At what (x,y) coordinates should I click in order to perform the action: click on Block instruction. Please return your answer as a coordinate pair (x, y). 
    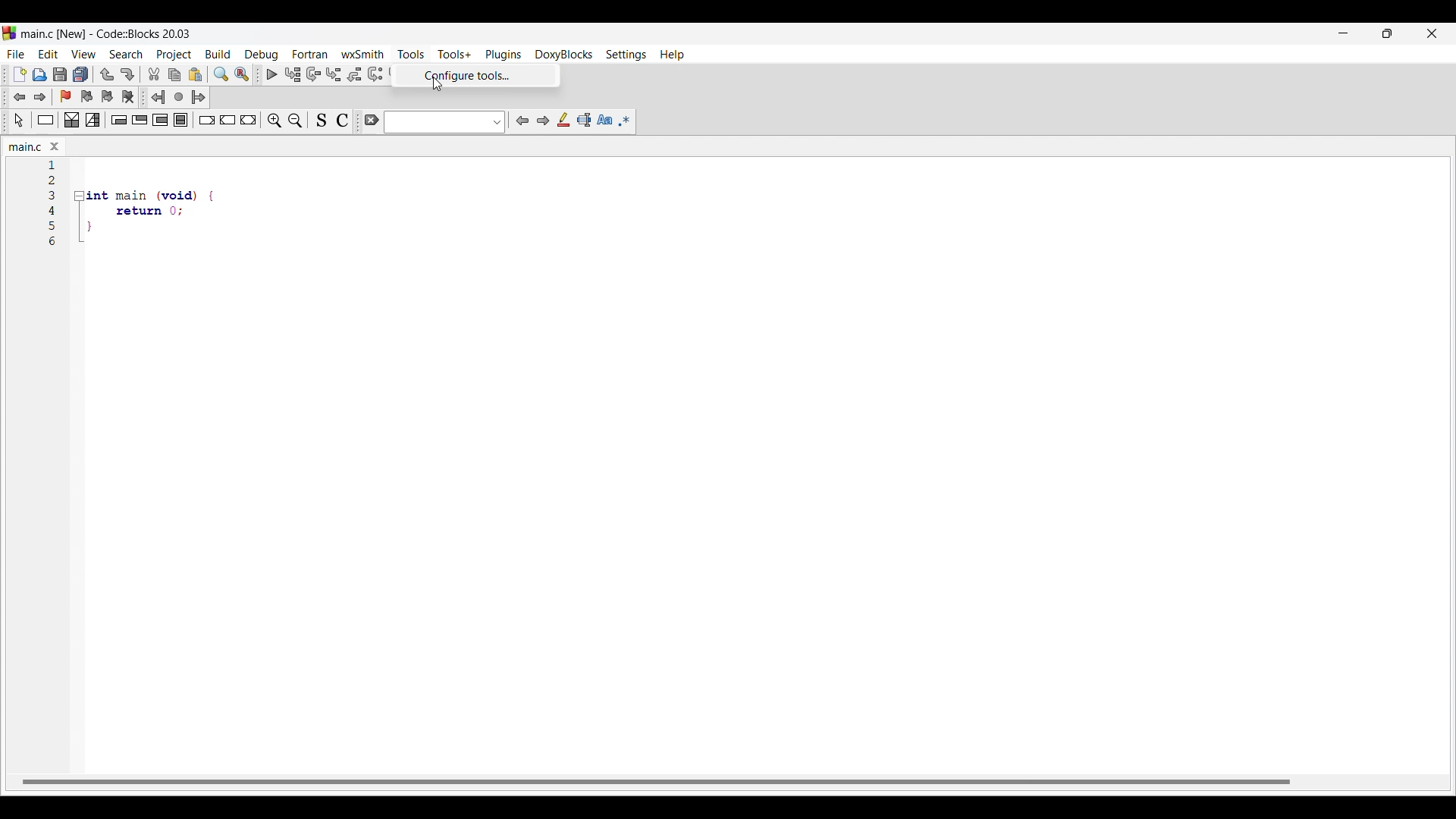
    Looking at the image, I should click on (181, 120).